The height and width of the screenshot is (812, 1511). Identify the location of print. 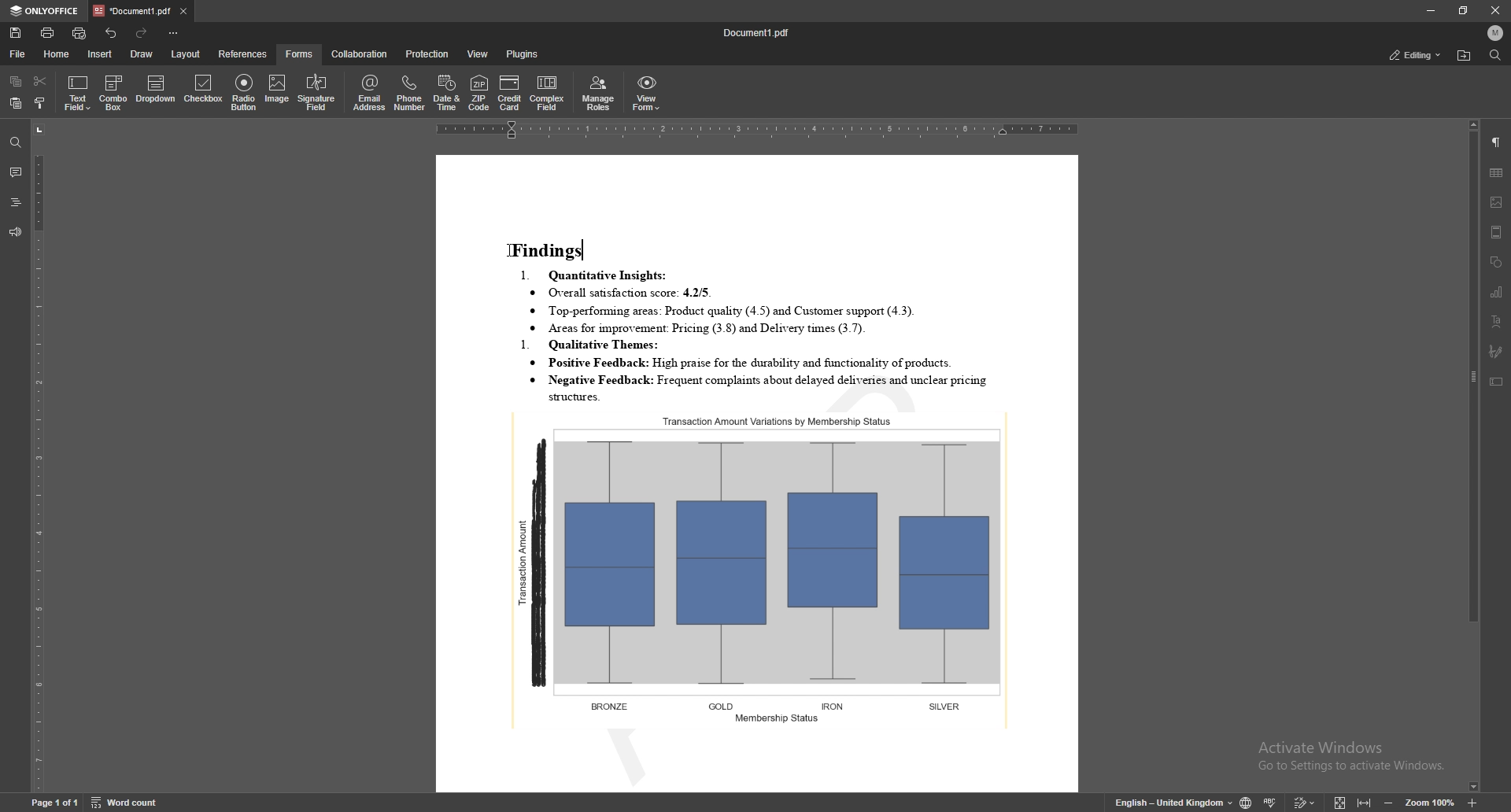
(48, 33).